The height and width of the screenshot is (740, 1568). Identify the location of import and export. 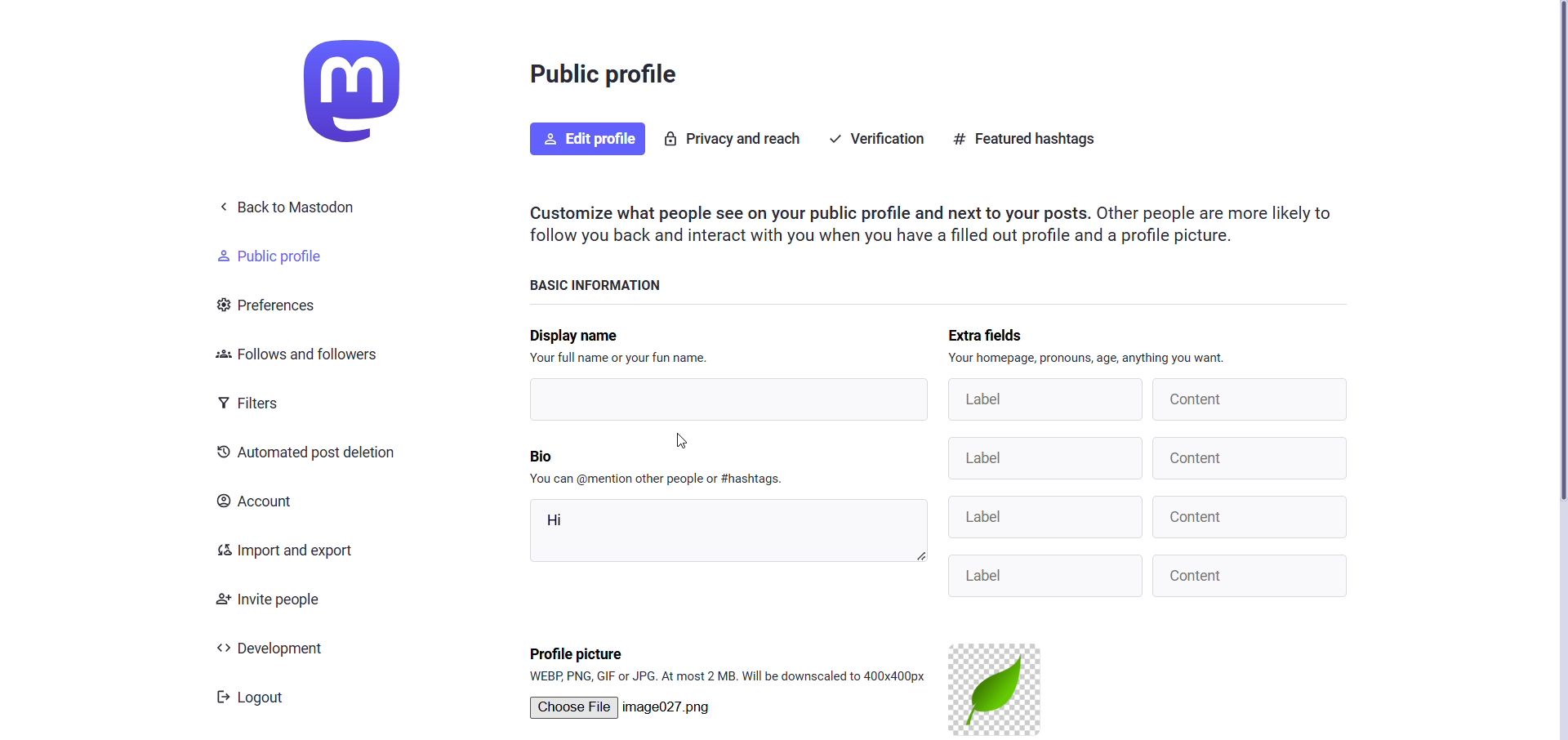
(276, 550).